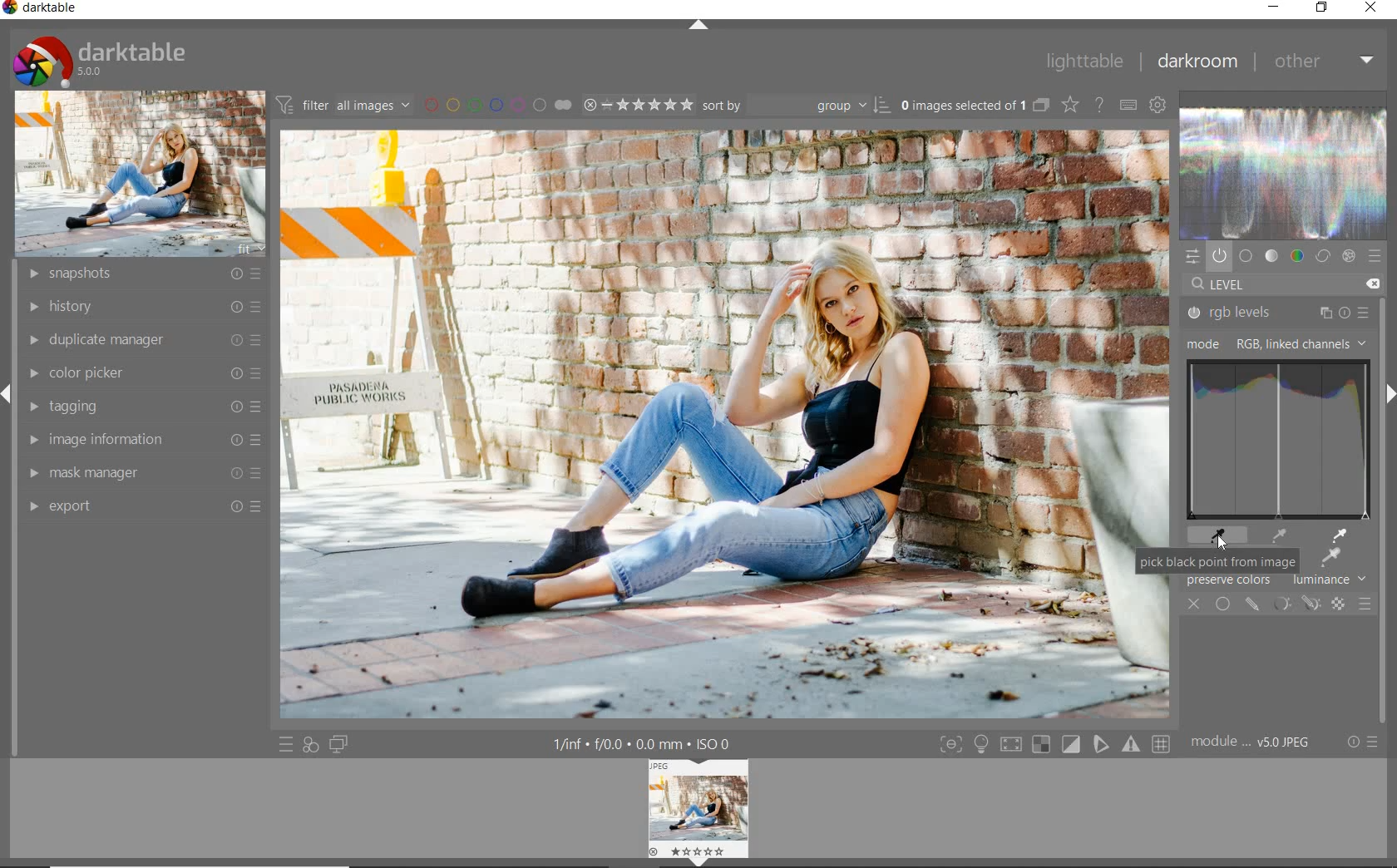  What do you see at coordinates (1222, 535) in the screenshot?
I see `black point picker tool` at bounding box center [1222, 535].